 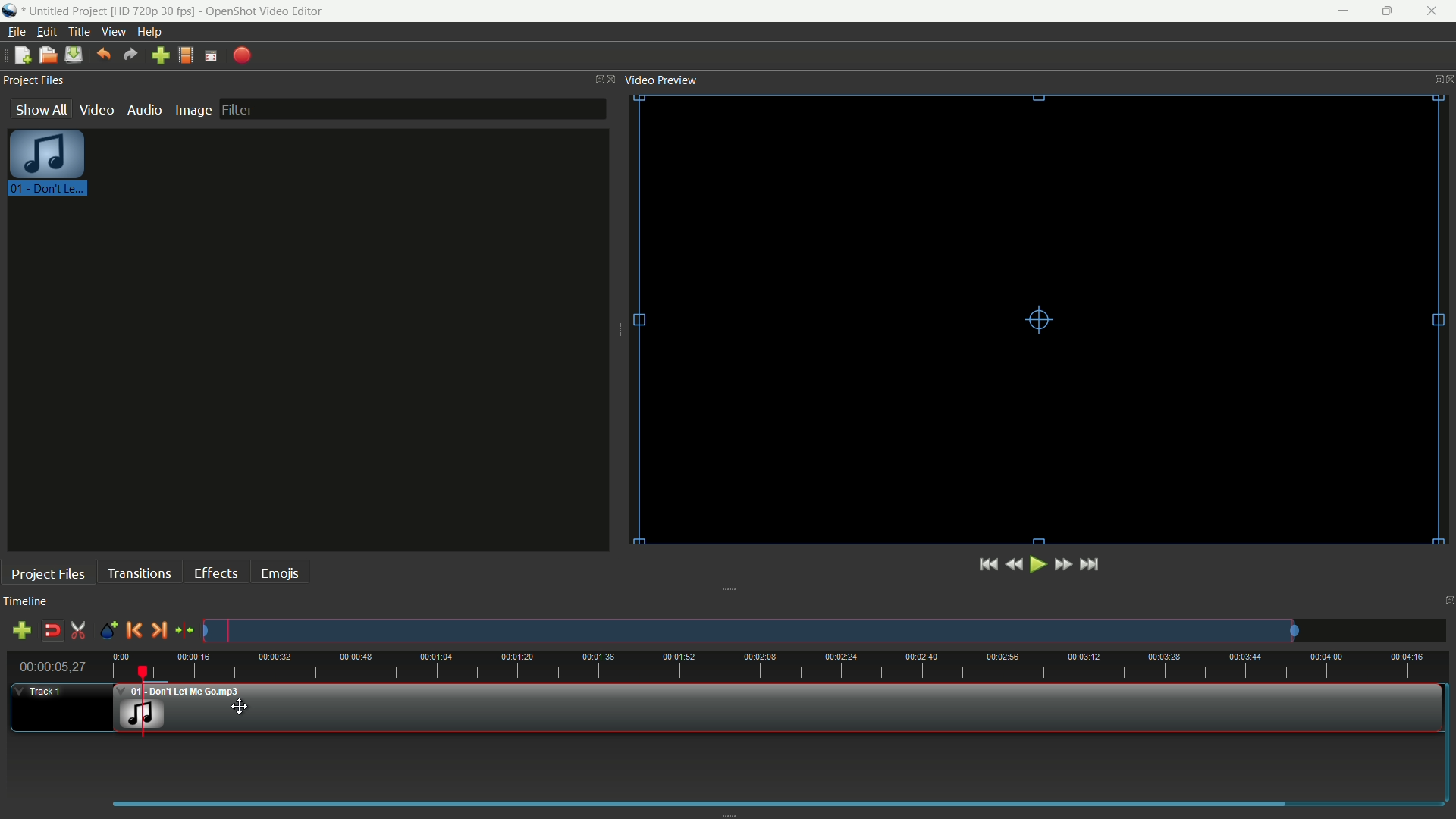 What do you see at coordinates (184, 631) in the screenshot?
I see `center the timeline on the playhead` at bounding box center [184, 631].